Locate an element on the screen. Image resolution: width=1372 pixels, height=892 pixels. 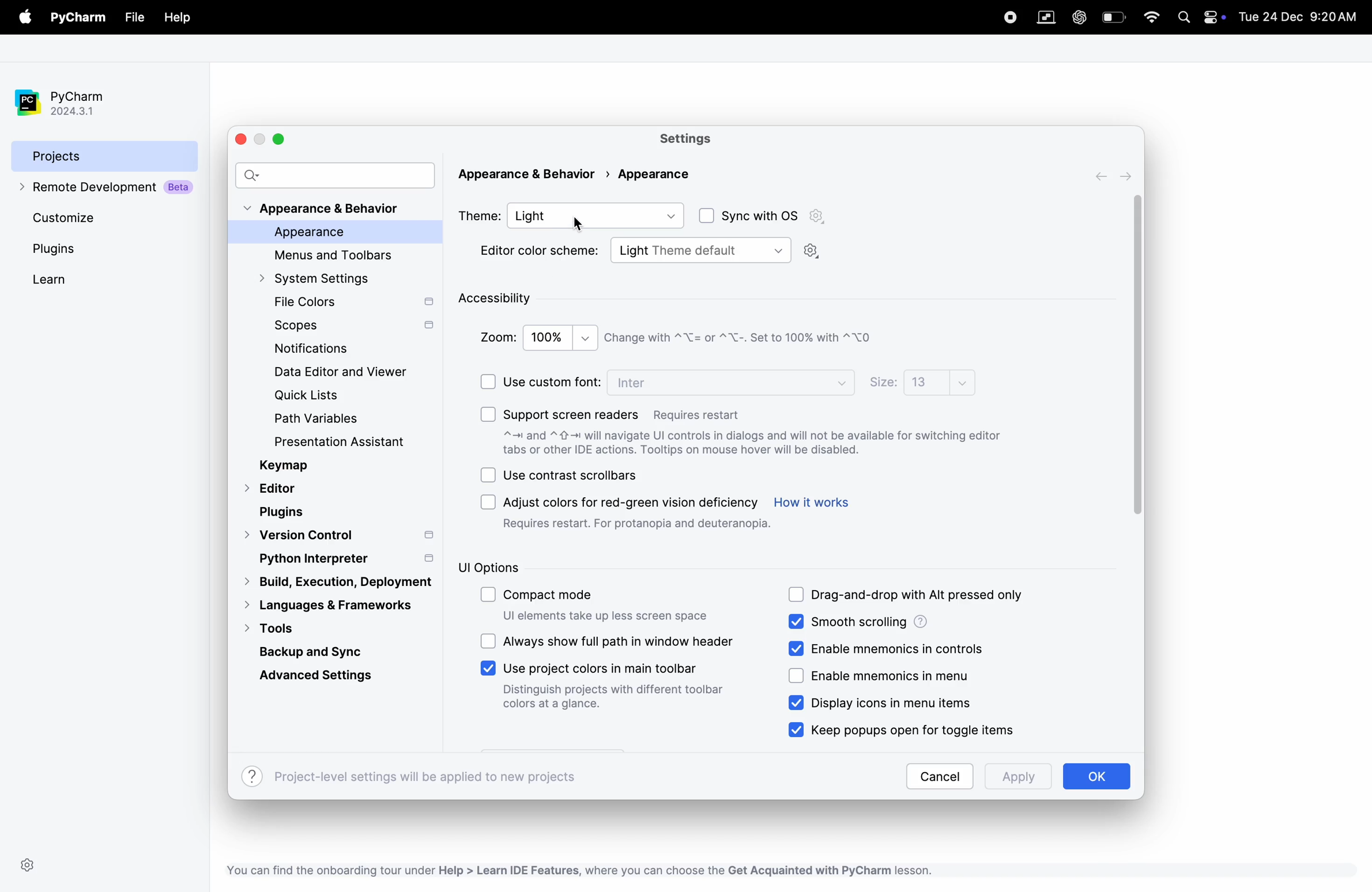
data editor and viewer is located at coordinates (346, 372).